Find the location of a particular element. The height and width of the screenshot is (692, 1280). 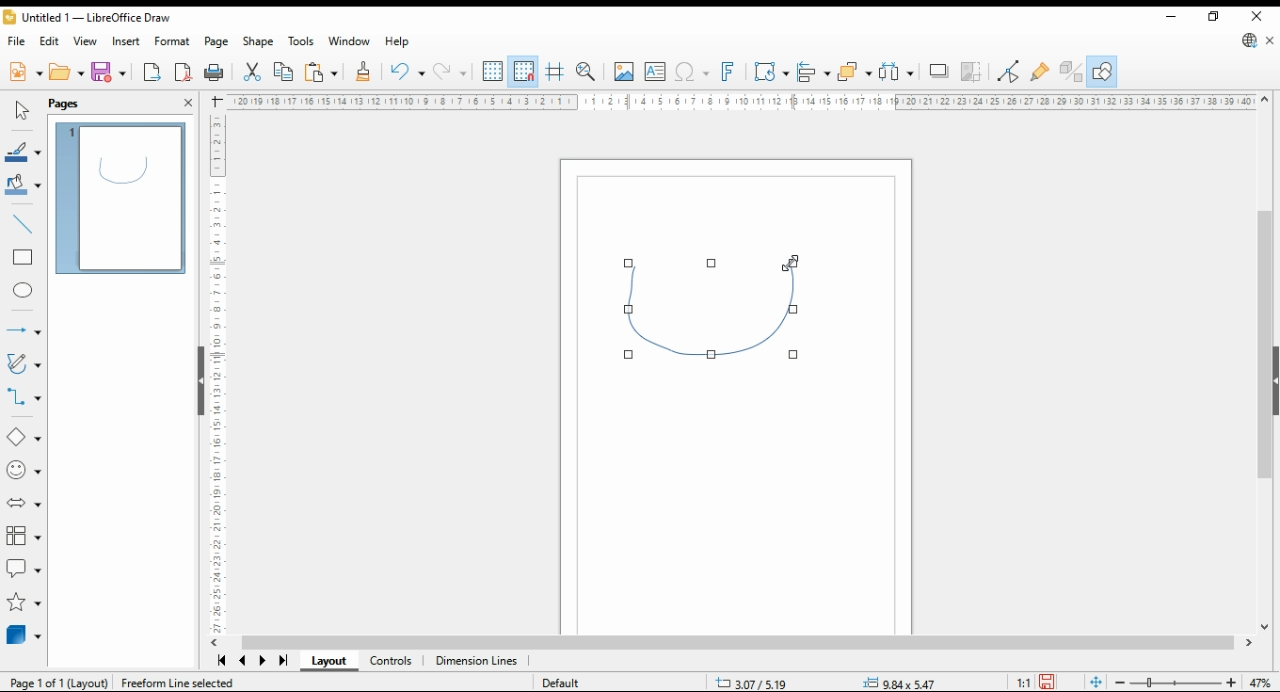

insert line is located at coordinates (21, 223).